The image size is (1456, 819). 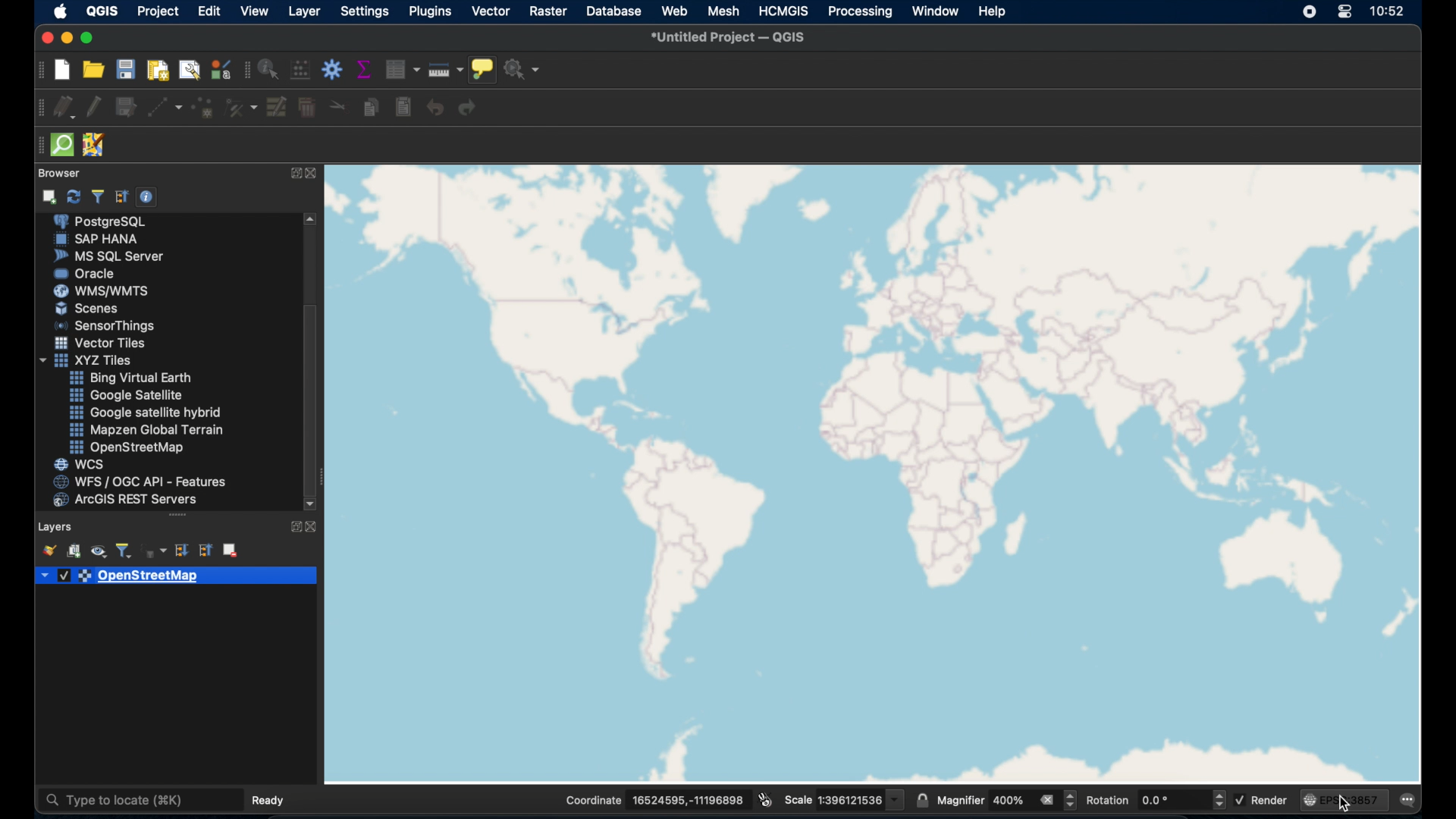 What do you see at coordinates (723, 11) in the screenshot?
I see `mesh` at bounding box center [723, 11].